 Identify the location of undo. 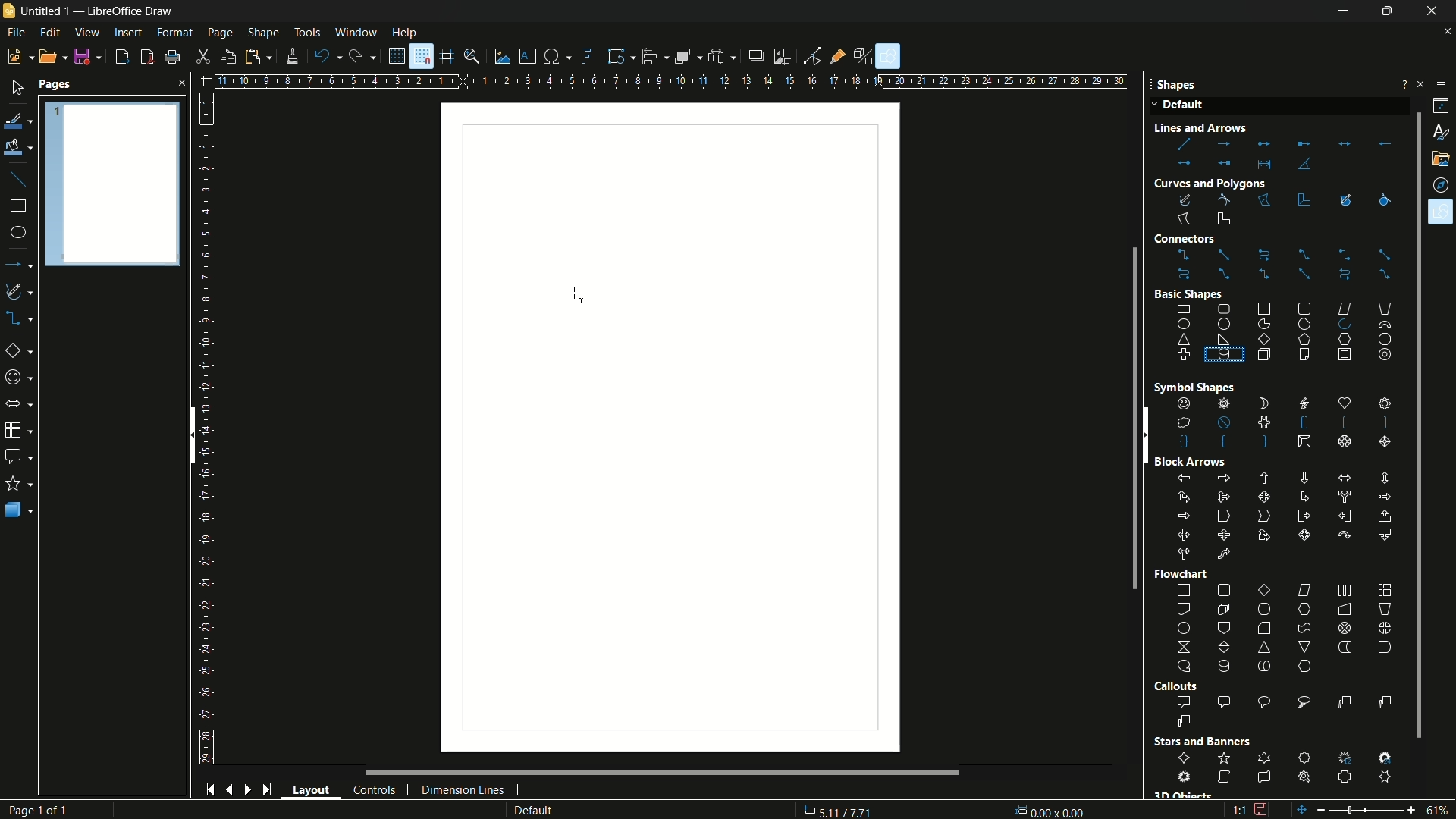
(328, 57).